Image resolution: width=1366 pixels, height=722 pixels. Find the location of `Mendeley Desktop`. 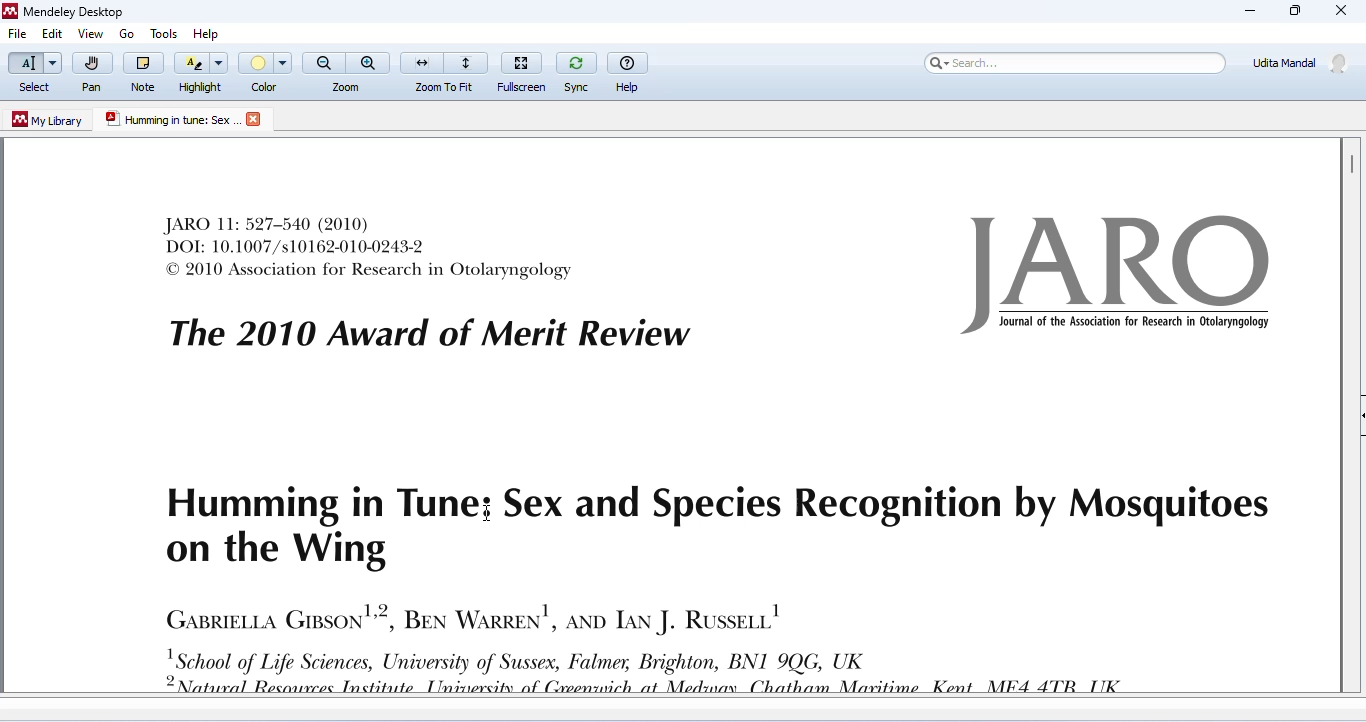

Mendeley Desktop is located at coordinates (63, 13).